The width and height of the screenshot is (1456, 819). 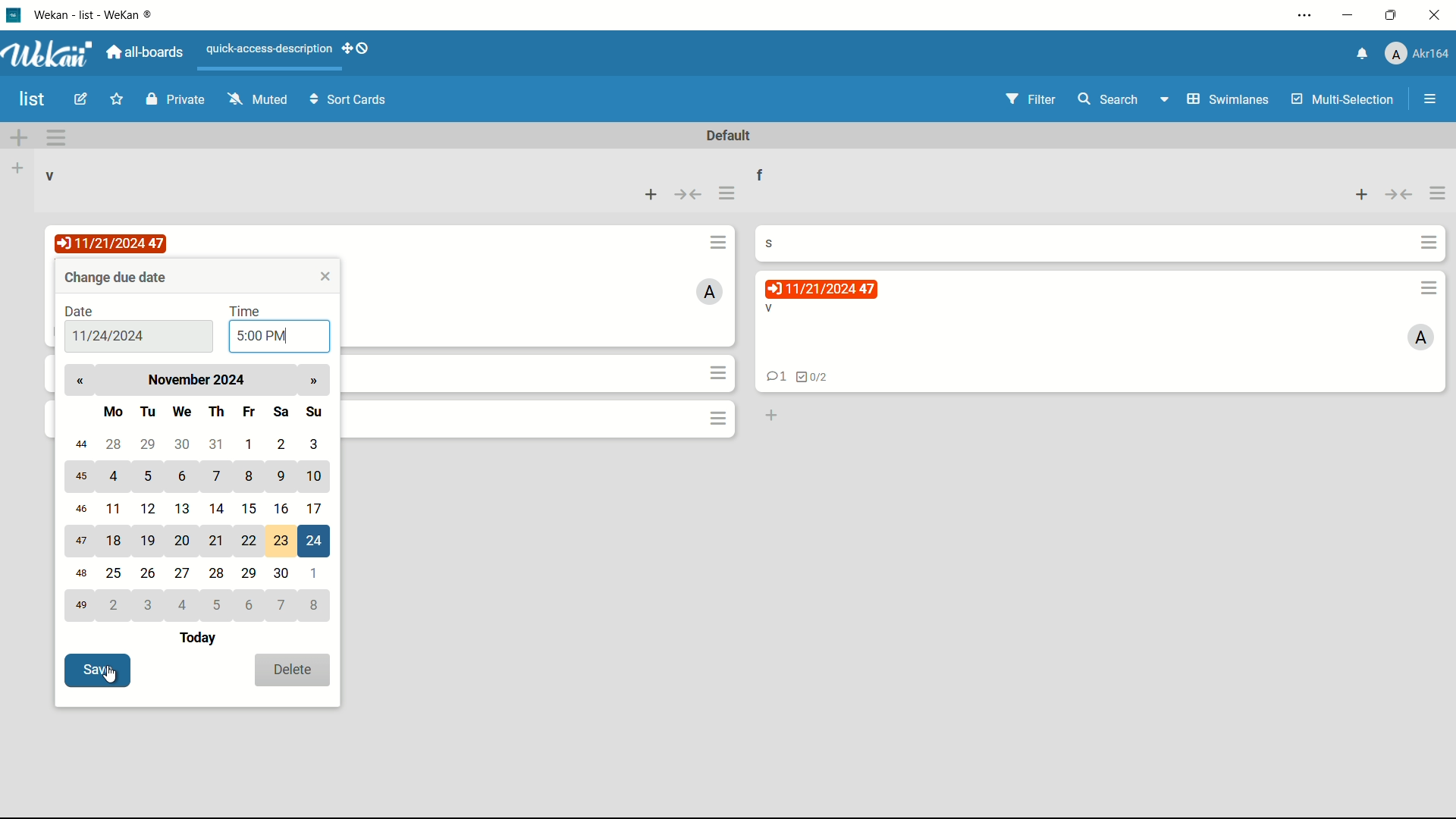 What do you see at coordinates (318, 605) in the screenshot?
I see `8` at bounding box center [318, 605].